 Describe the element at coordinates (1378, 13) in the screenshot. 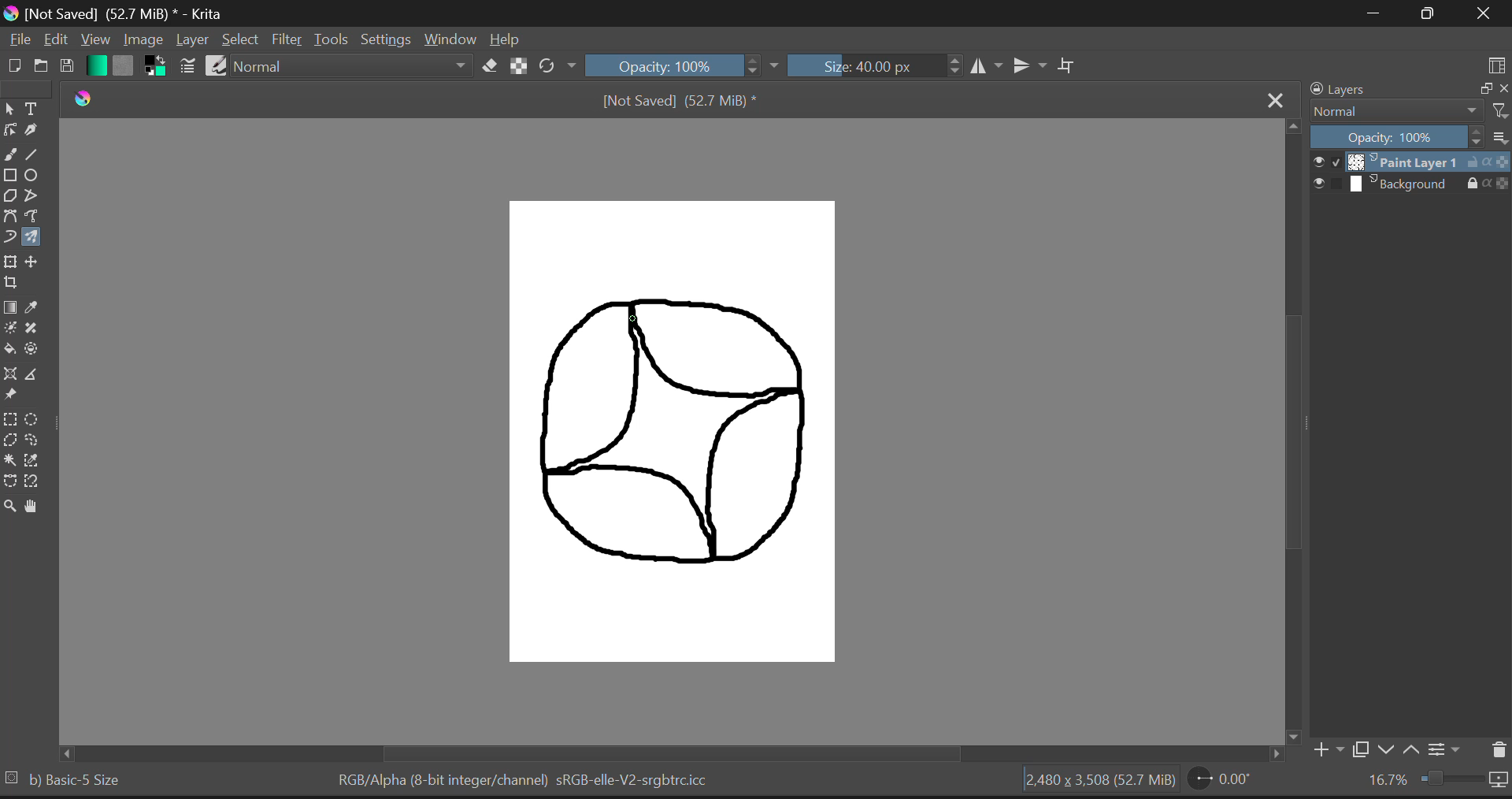

I see `Restore Down` at that location.